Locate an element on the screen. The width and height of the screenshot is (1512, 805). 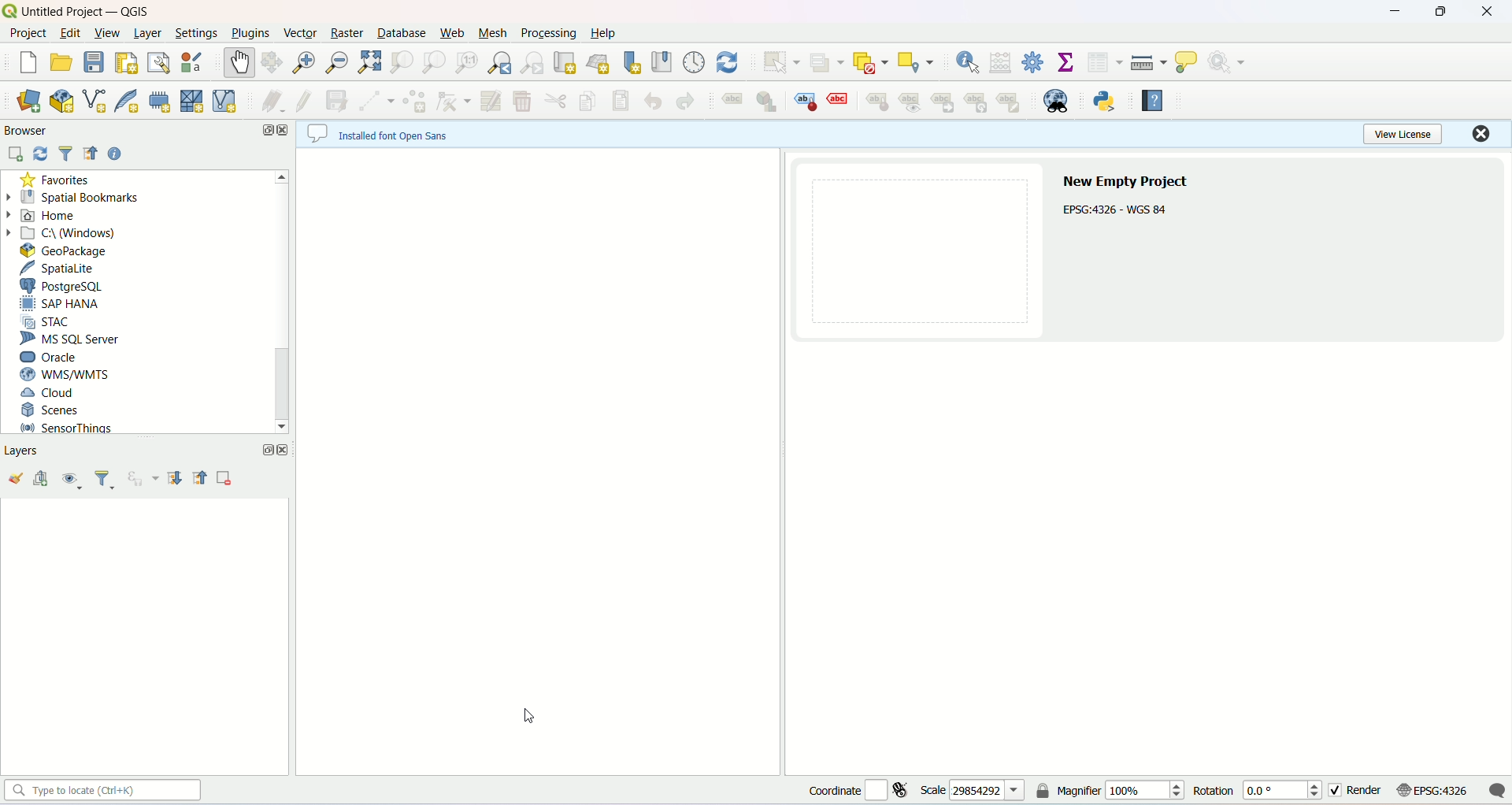
select by location is located at coordinates (920, 61).